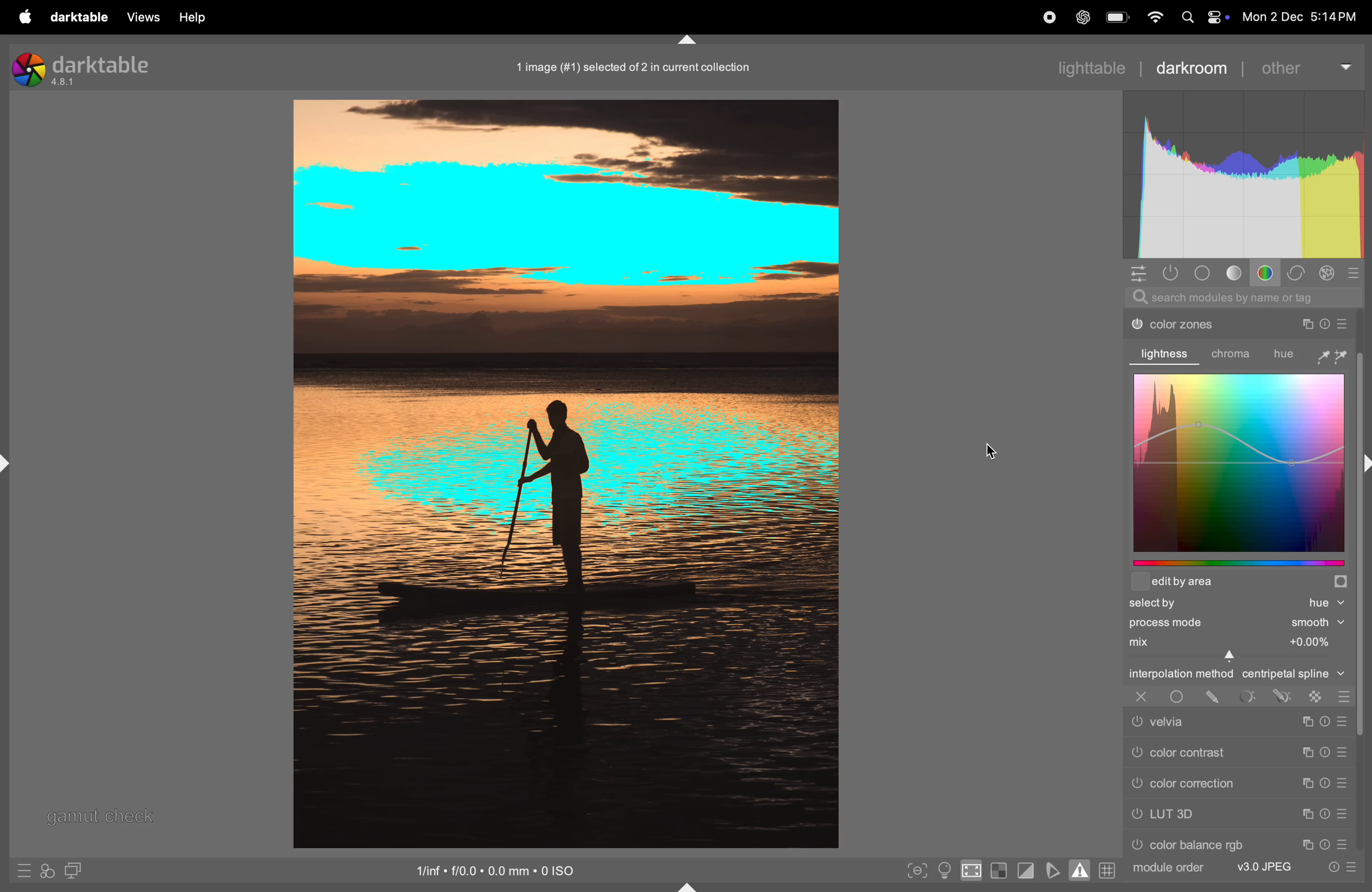 The image size is (1372, 892). What do you see at coordinates (1308, 814) in the screenshot?
I see `Copy` at bounding box center [1308, 814].